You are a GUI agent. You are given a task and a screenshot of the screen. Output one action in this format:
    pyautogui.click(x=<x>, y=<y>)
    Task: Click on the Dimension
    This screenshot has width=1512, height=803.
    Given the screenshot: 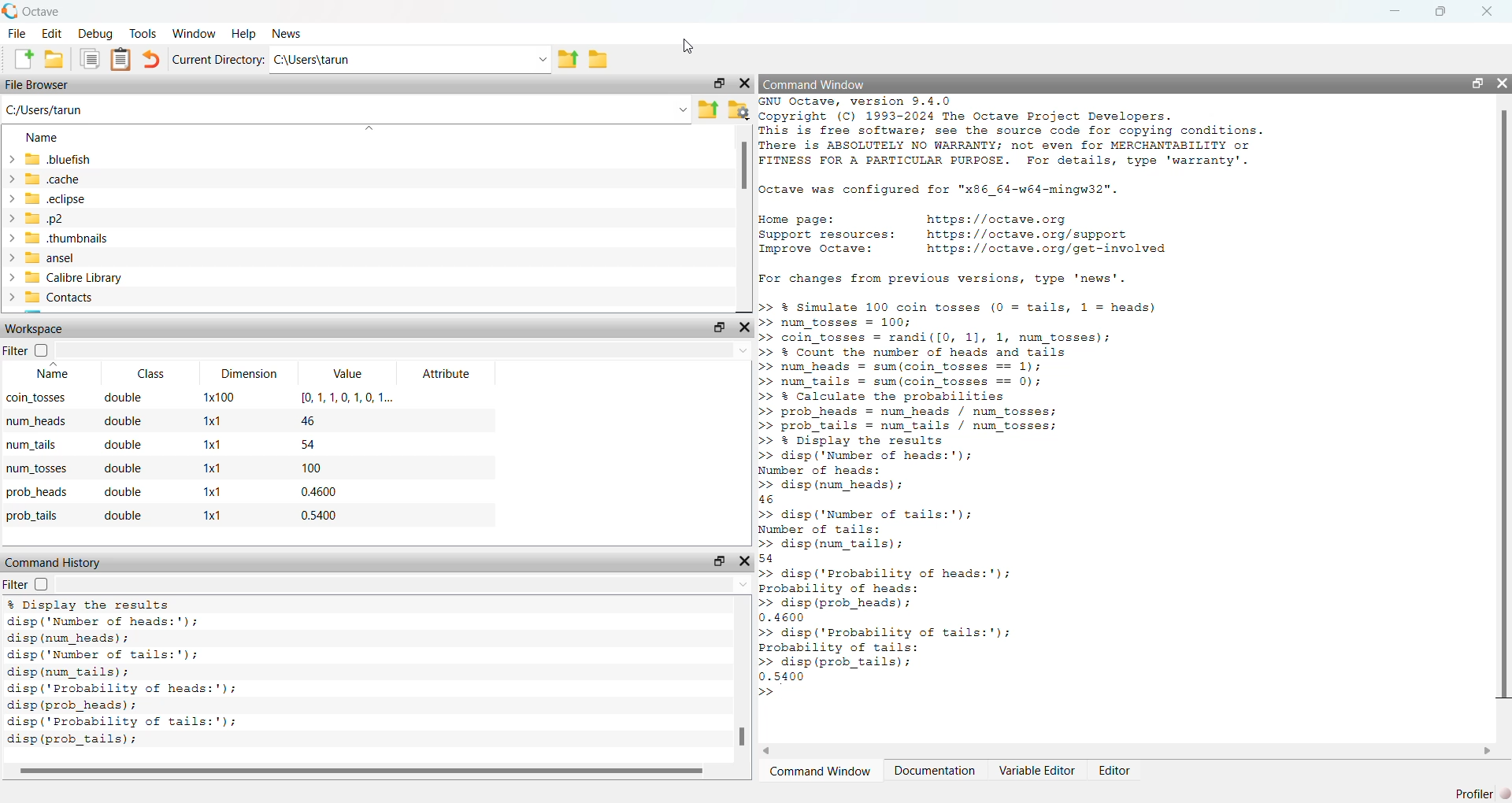 What is the action you would take?
    pyautogui.click(x=248, y=375)
    